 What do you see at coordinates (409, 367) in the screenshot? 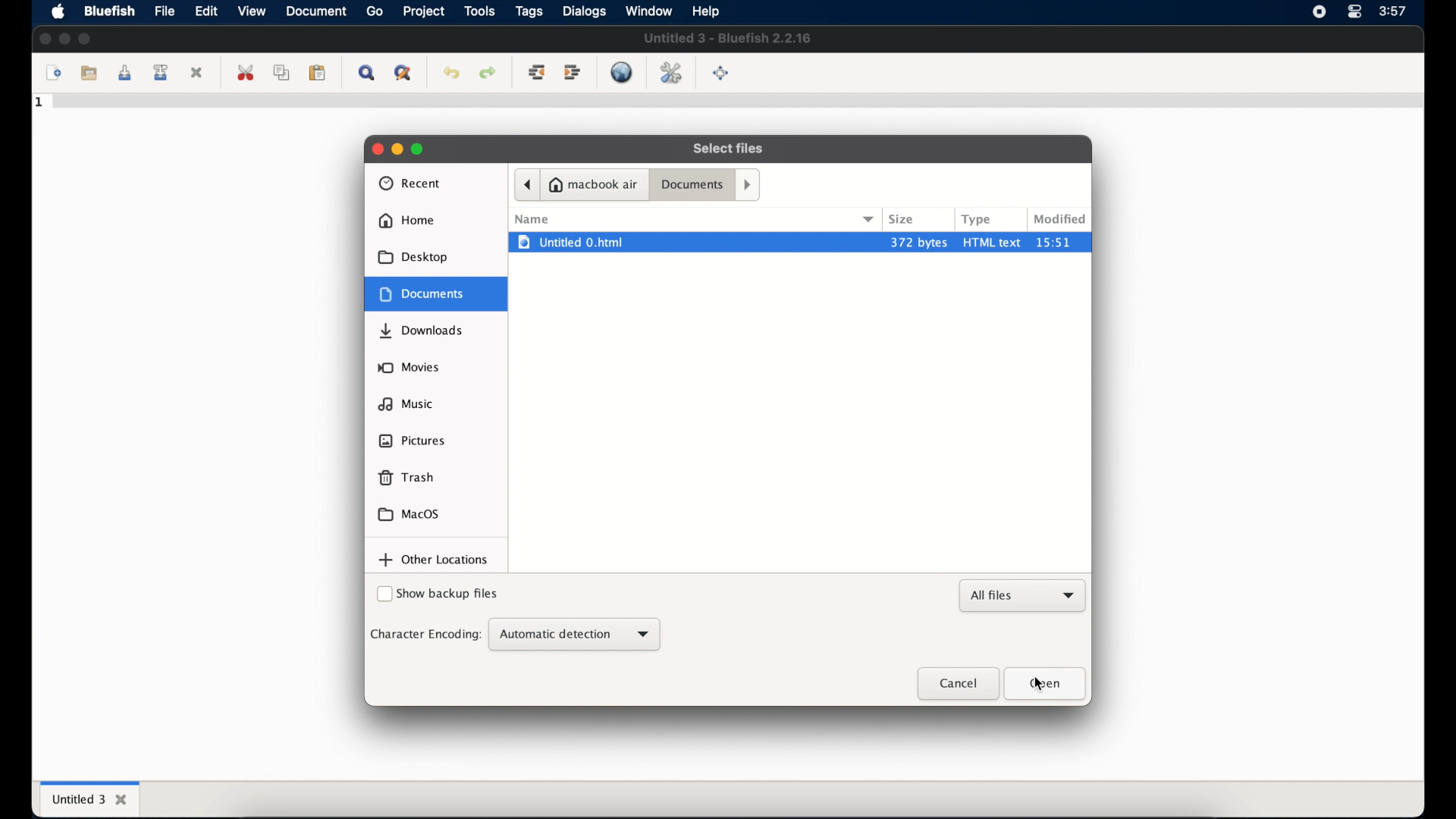
I see `movies` at bounding box center [409, 367].